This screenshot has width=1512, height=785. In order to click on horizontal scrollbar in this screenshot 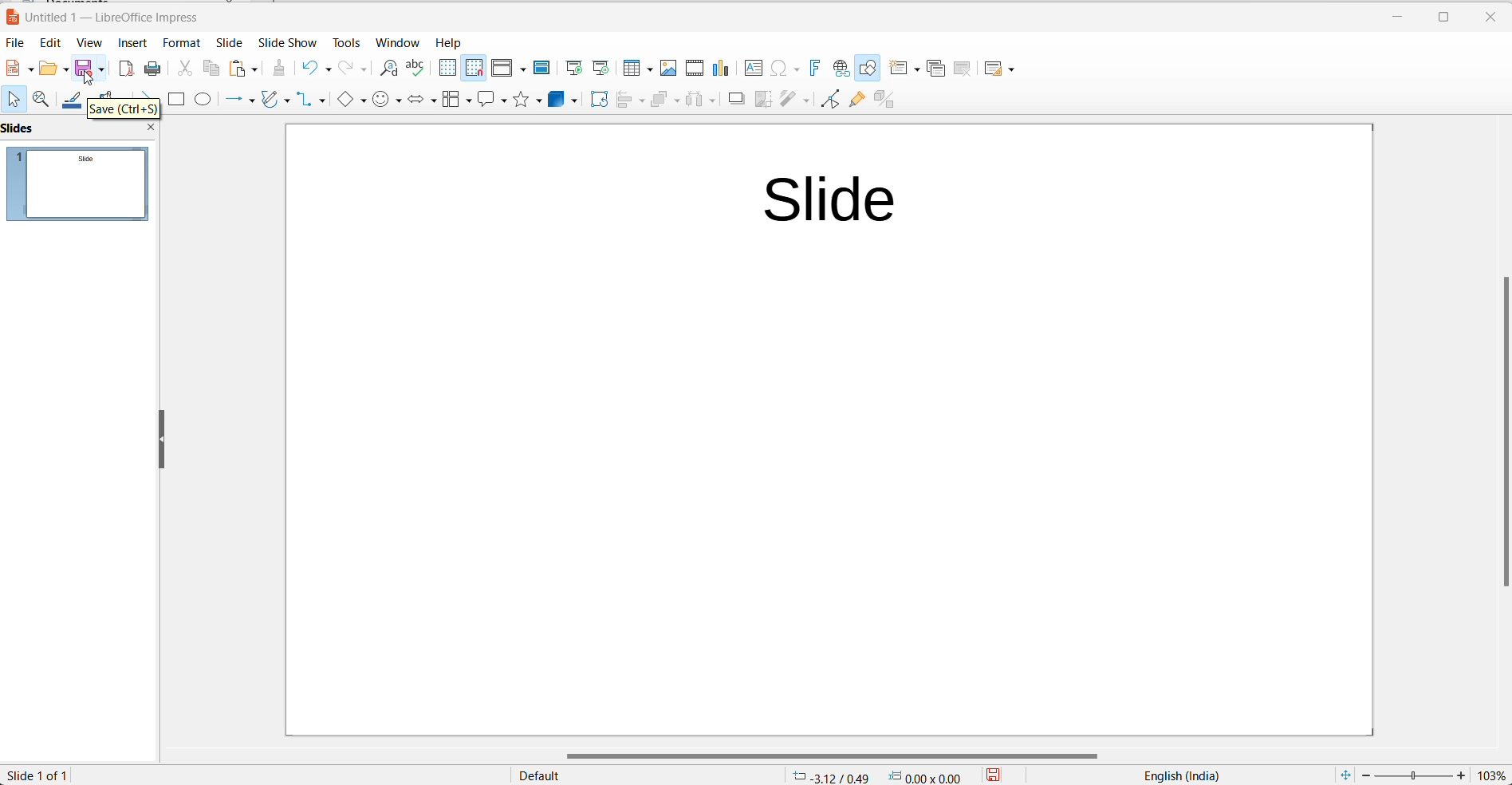, I will do `click(833, 754)`.